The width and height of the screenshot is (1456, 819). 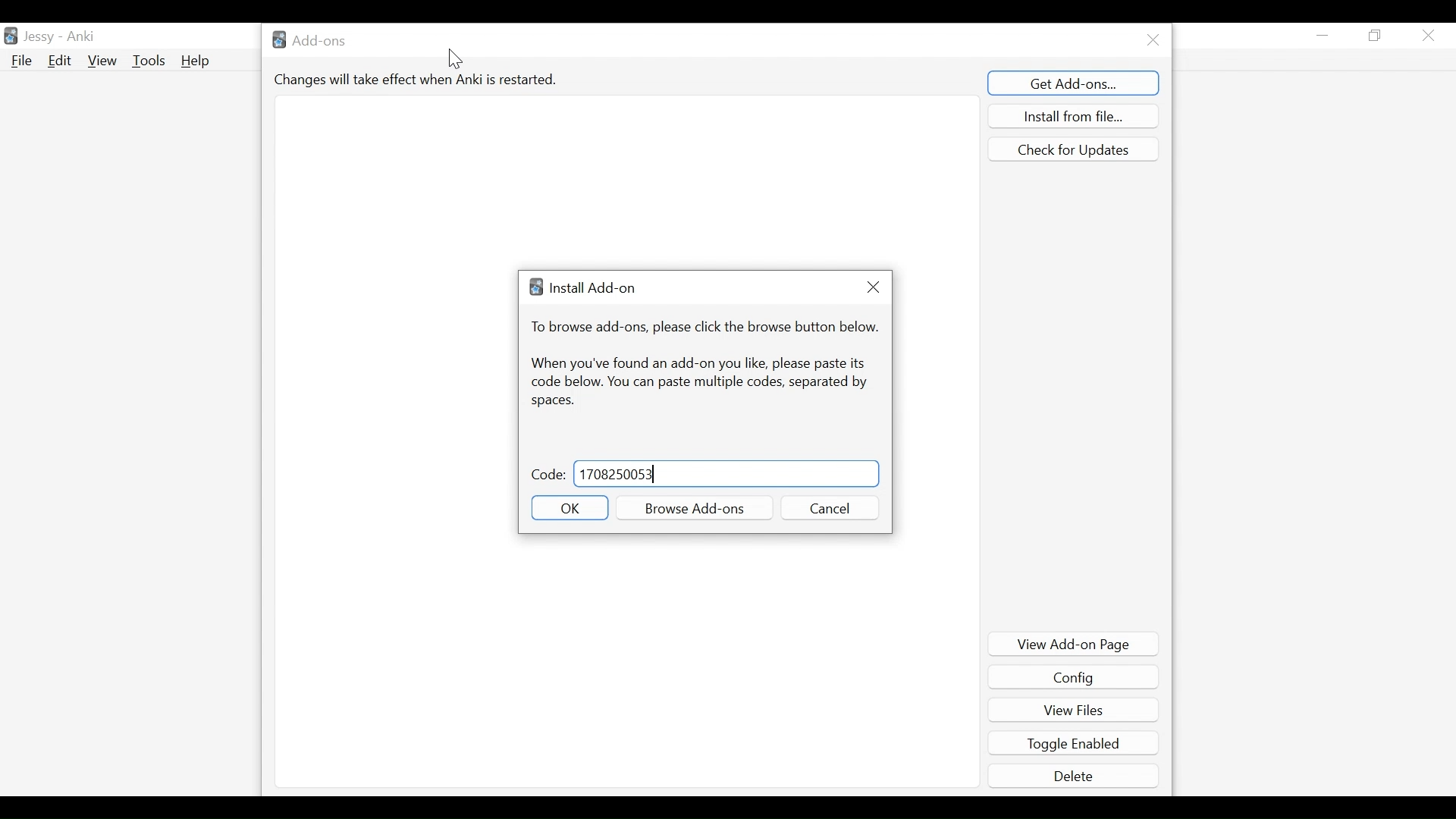 I want to click on View, so click(x=102, y=60).